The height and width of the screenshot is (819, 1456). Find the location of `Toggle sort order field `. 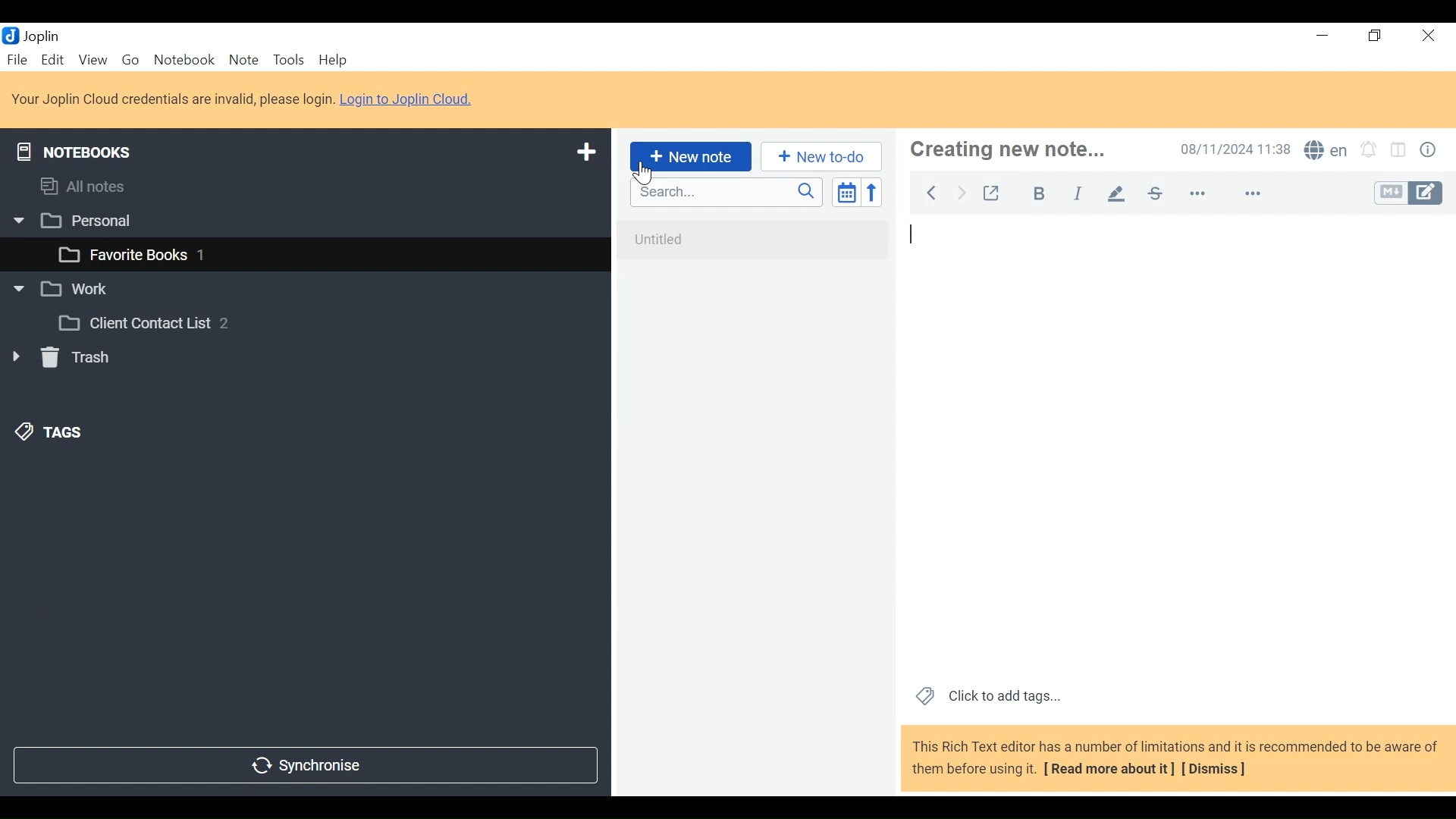

Toggle sort order field  is located at coordinates (848, 193).